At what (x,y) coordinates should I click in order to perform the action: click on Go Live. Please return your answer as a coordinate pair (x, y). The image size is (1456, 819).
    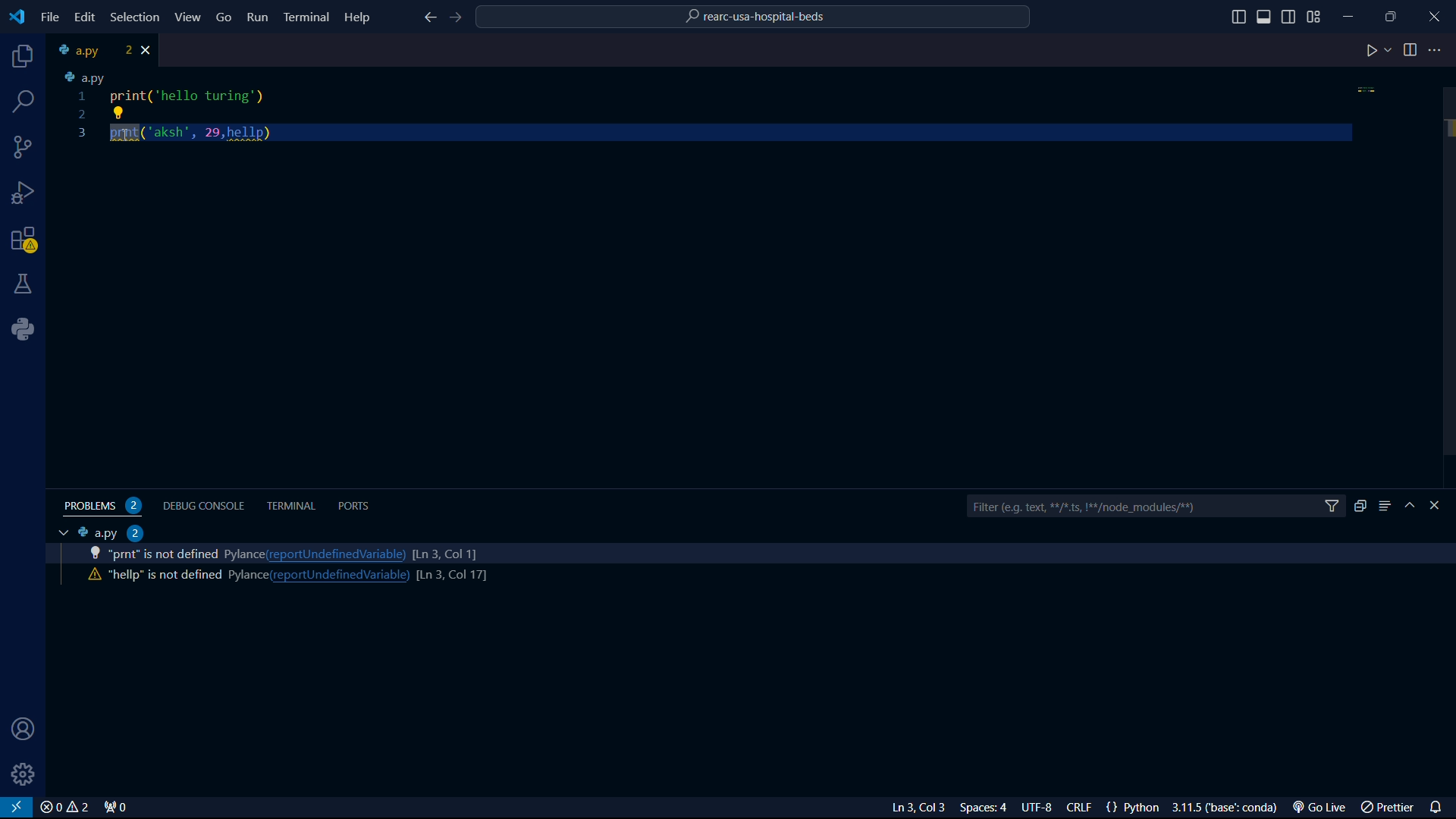
    Looking at the image, I should click on (1323, 808).